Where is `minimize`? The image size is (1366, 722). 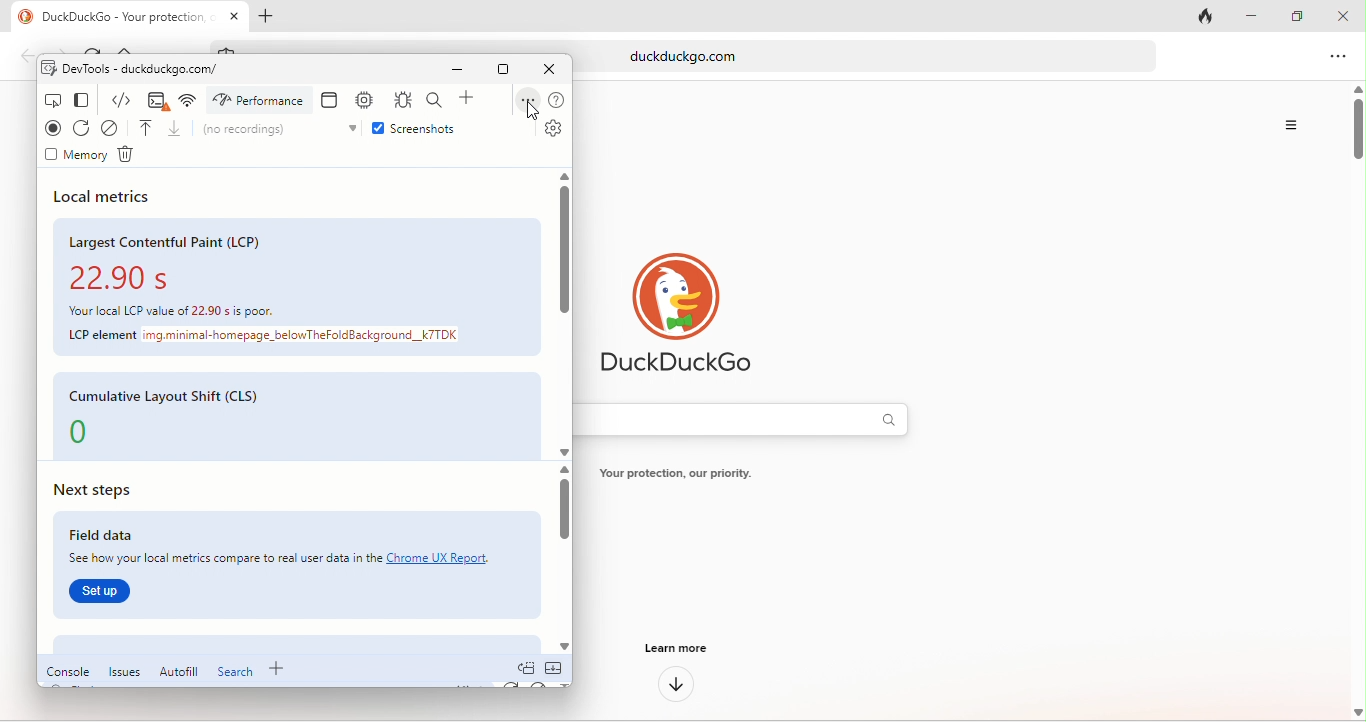
minimize is located at coordinates (461, 70).